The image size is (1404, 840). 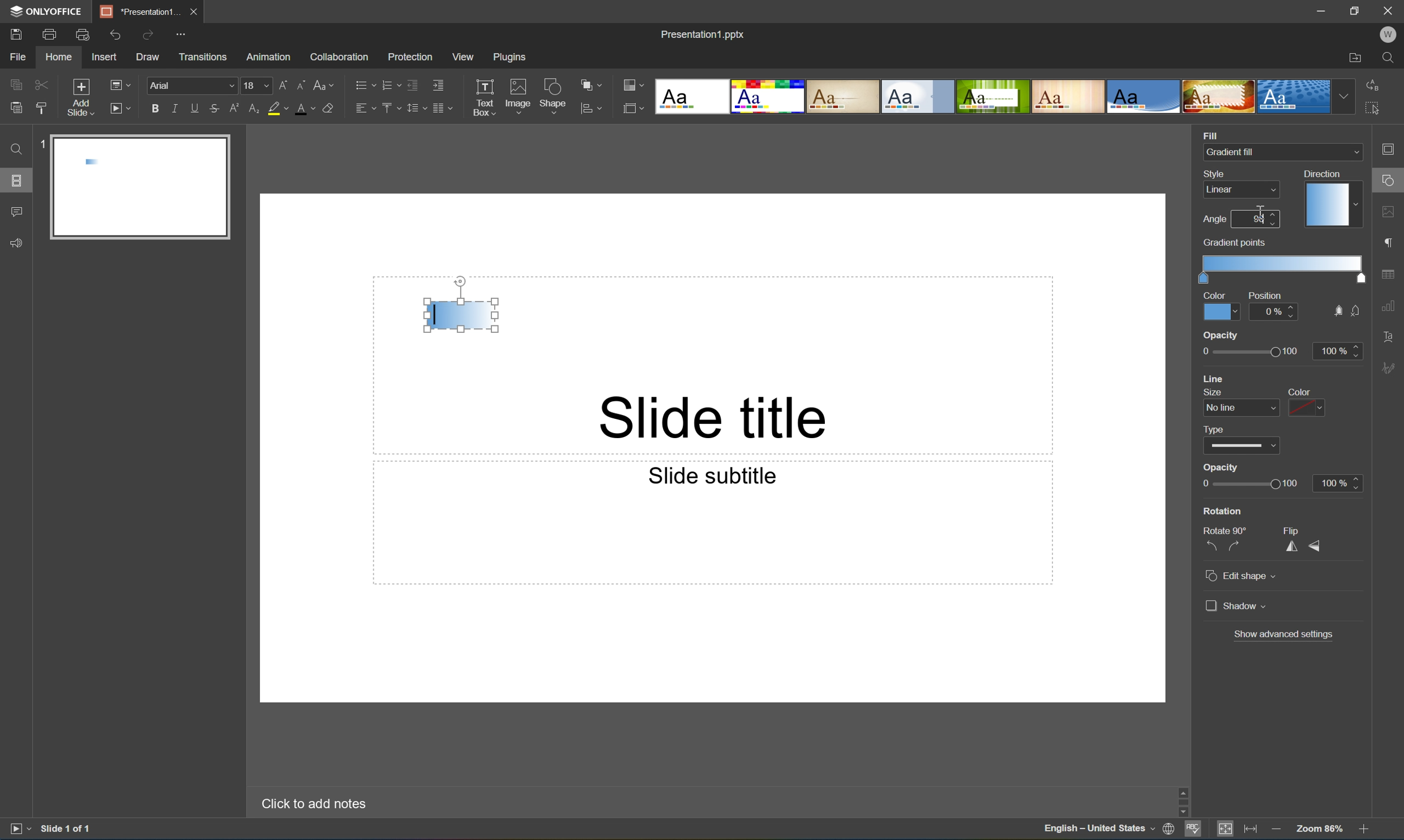 I want to click on Rotate 90° clockwise, so click(x=1236, y=546).